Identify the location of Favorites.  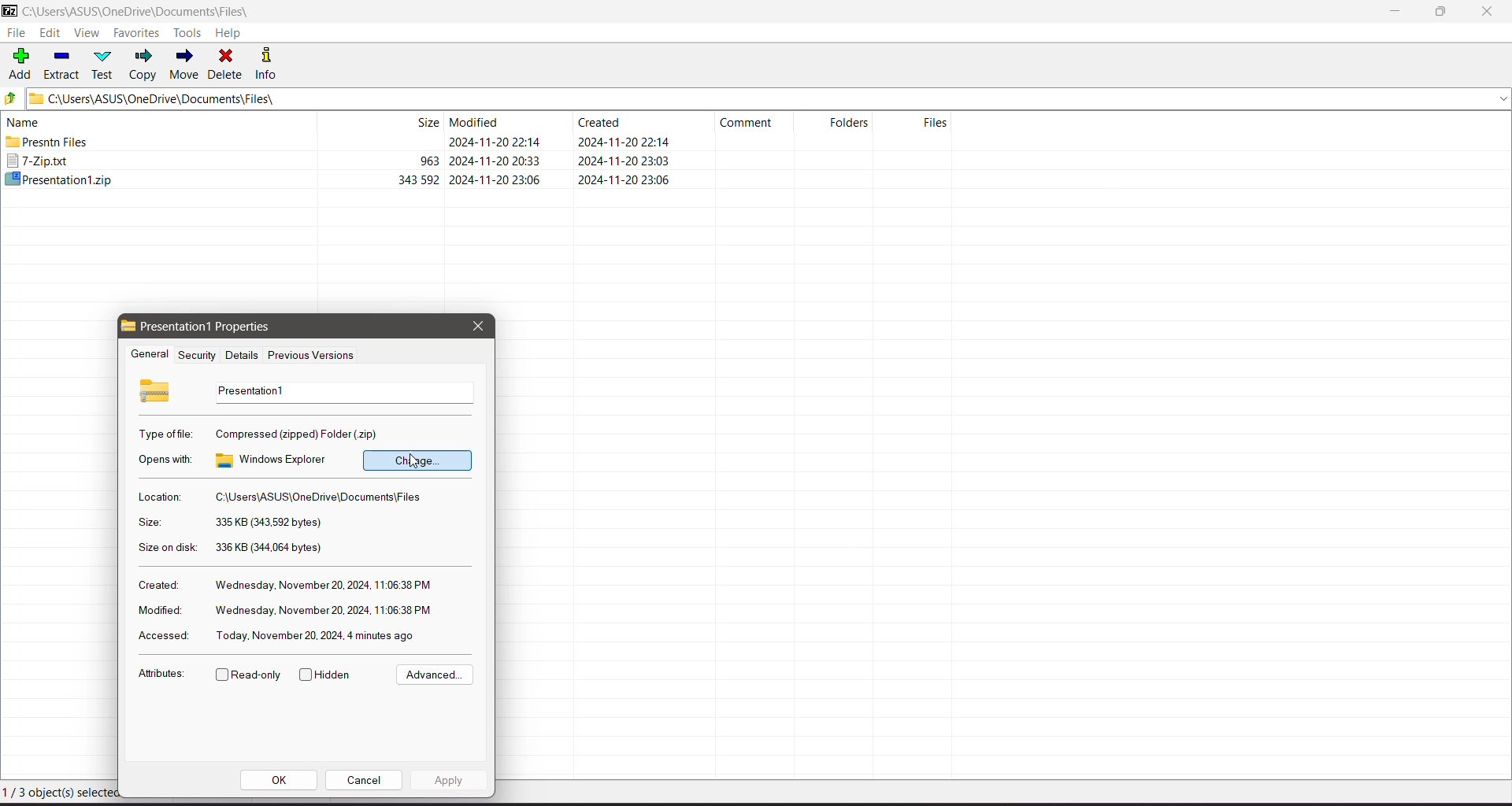
(137, 33).